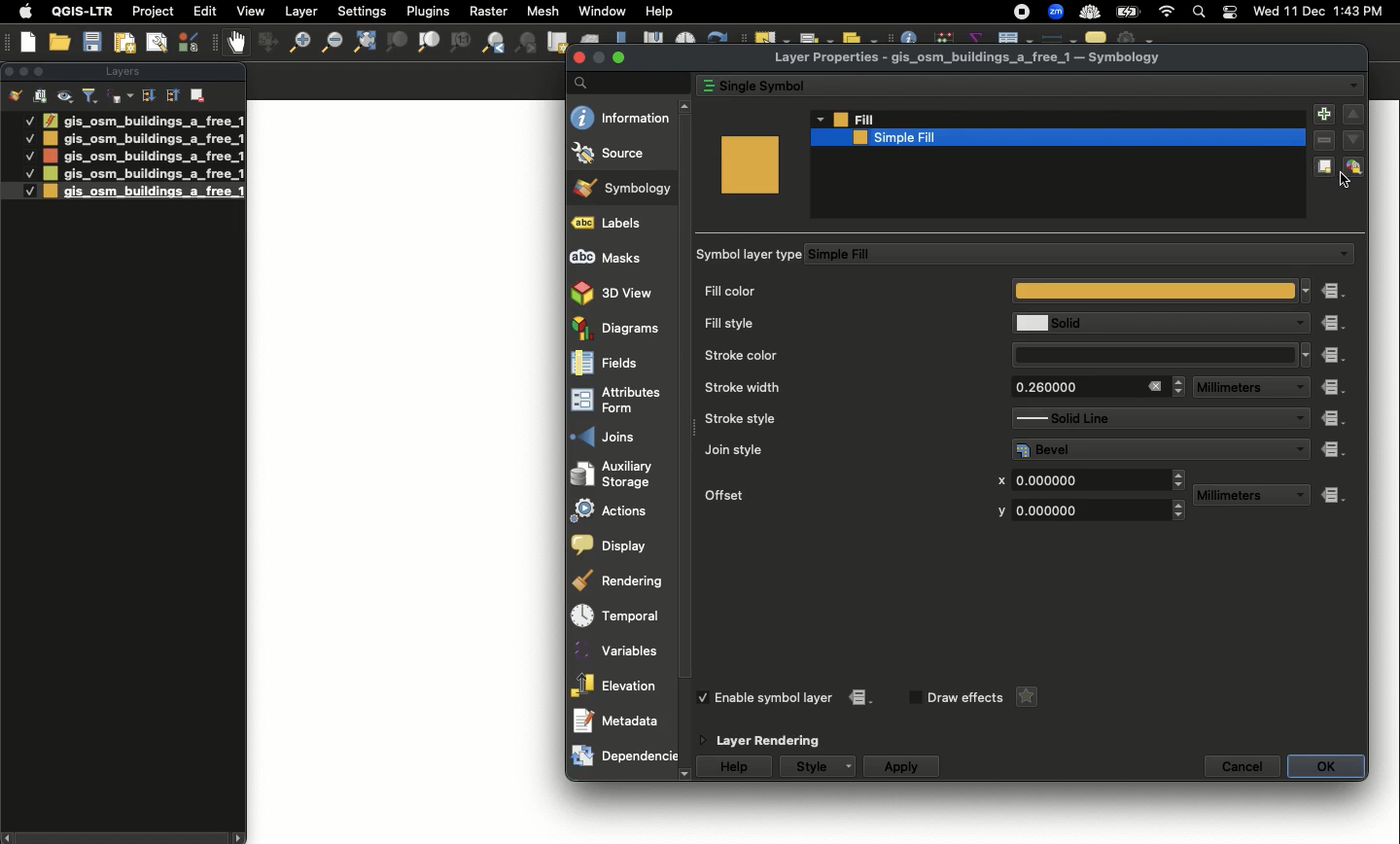 The image size is (1400, 844). What do you see at coordinates (1353, 86) in the screenshot?
I see `Drop down` at bounding box center [1353, 86].